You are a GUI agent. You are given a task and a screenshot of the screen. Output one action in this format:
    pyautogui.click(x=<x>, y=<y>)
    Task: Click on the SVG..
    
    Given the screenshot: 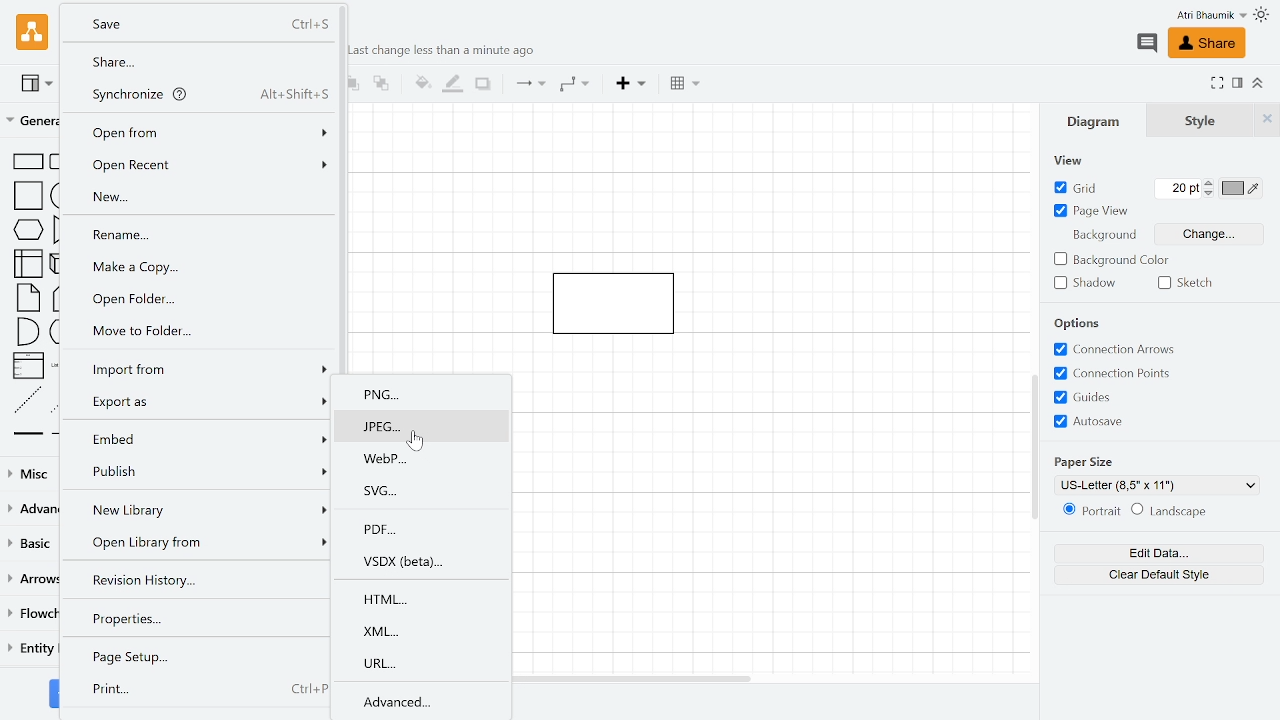 What is the action you would take?
    pyautogui.click(x=429, y=489)
    